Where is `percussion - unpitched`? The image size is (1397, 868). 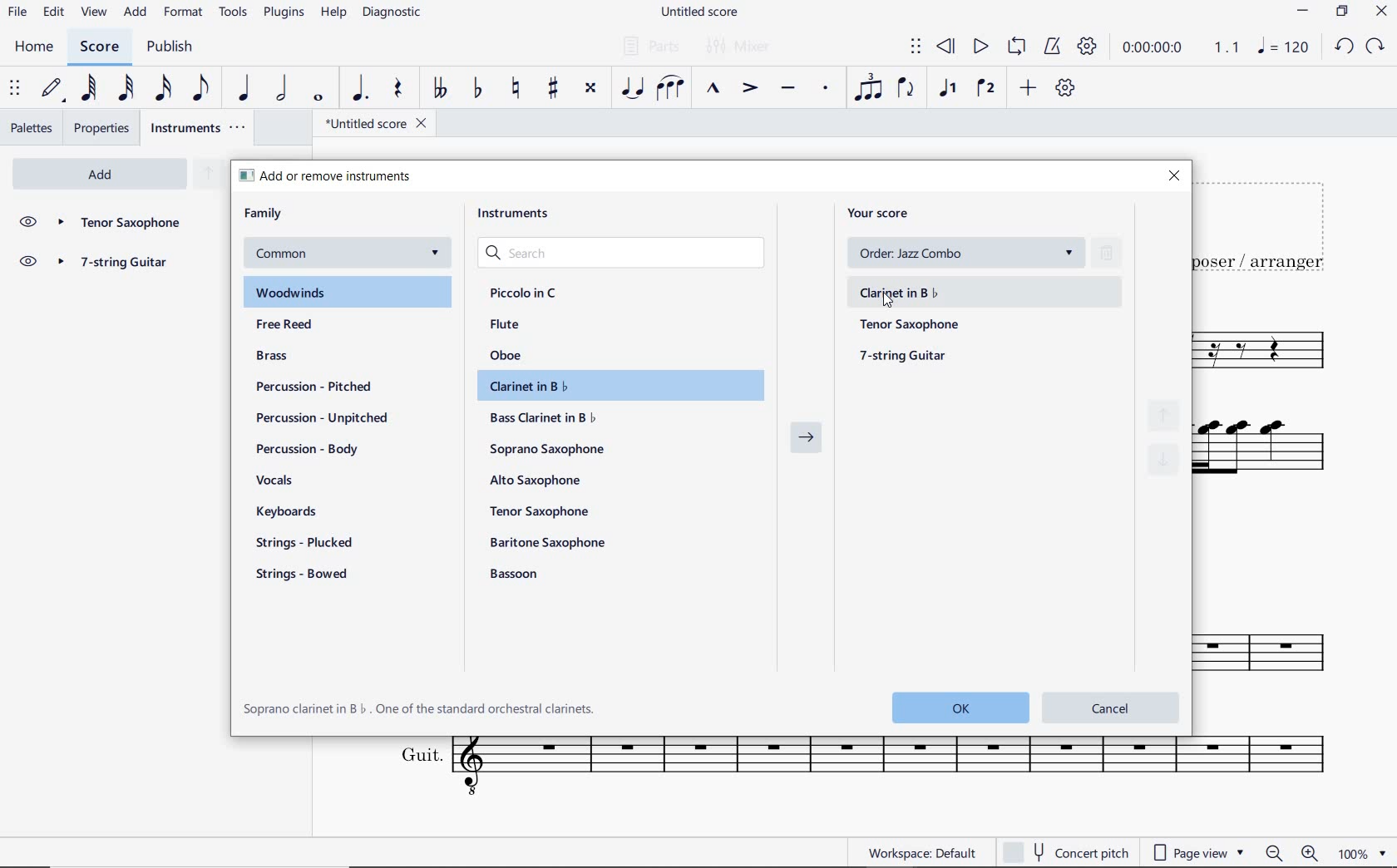 percussion - unpitched is located at coordinates (323, 418).